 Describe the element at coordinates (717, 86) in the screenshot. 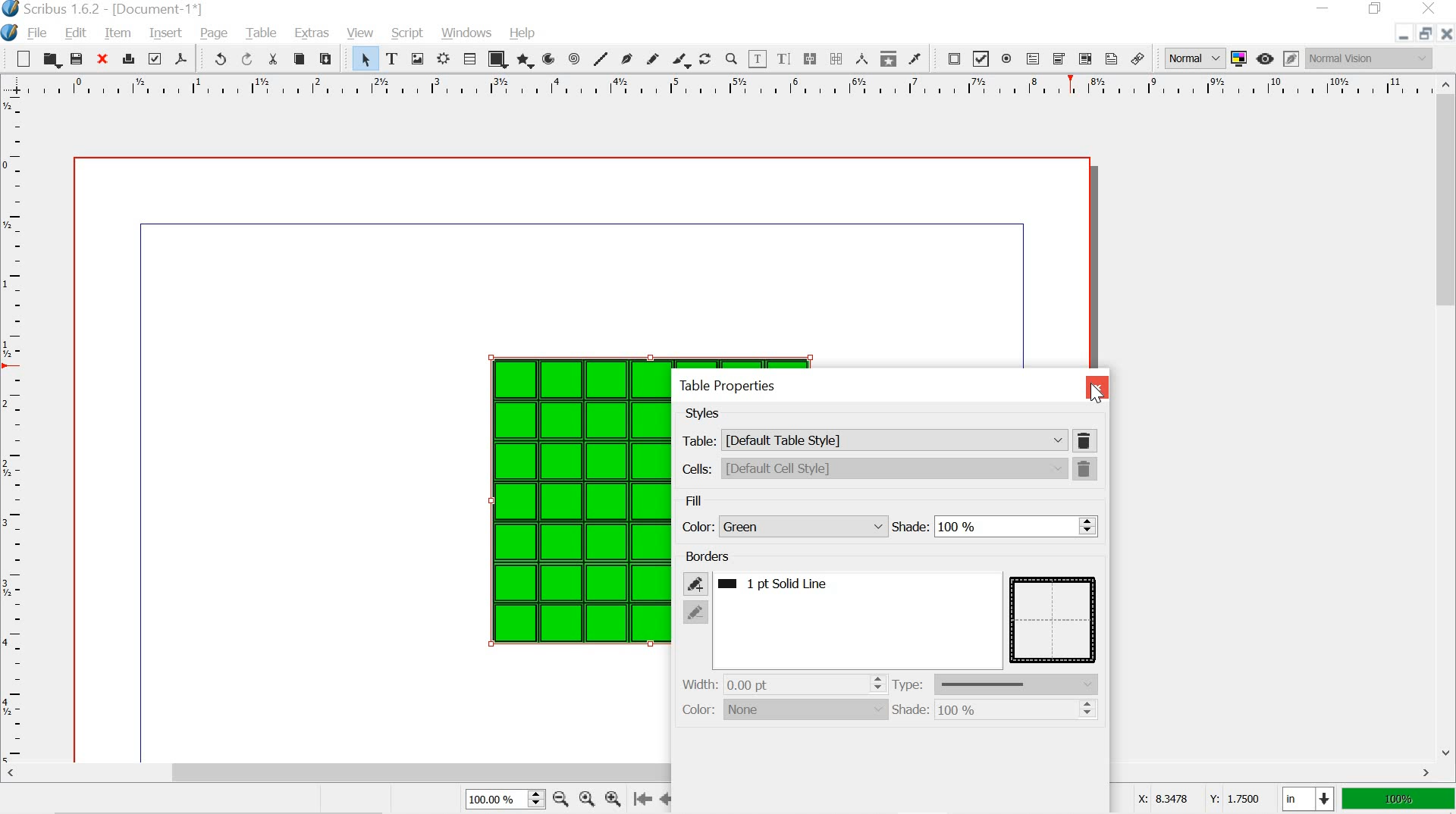

I see `ruler` at that location.